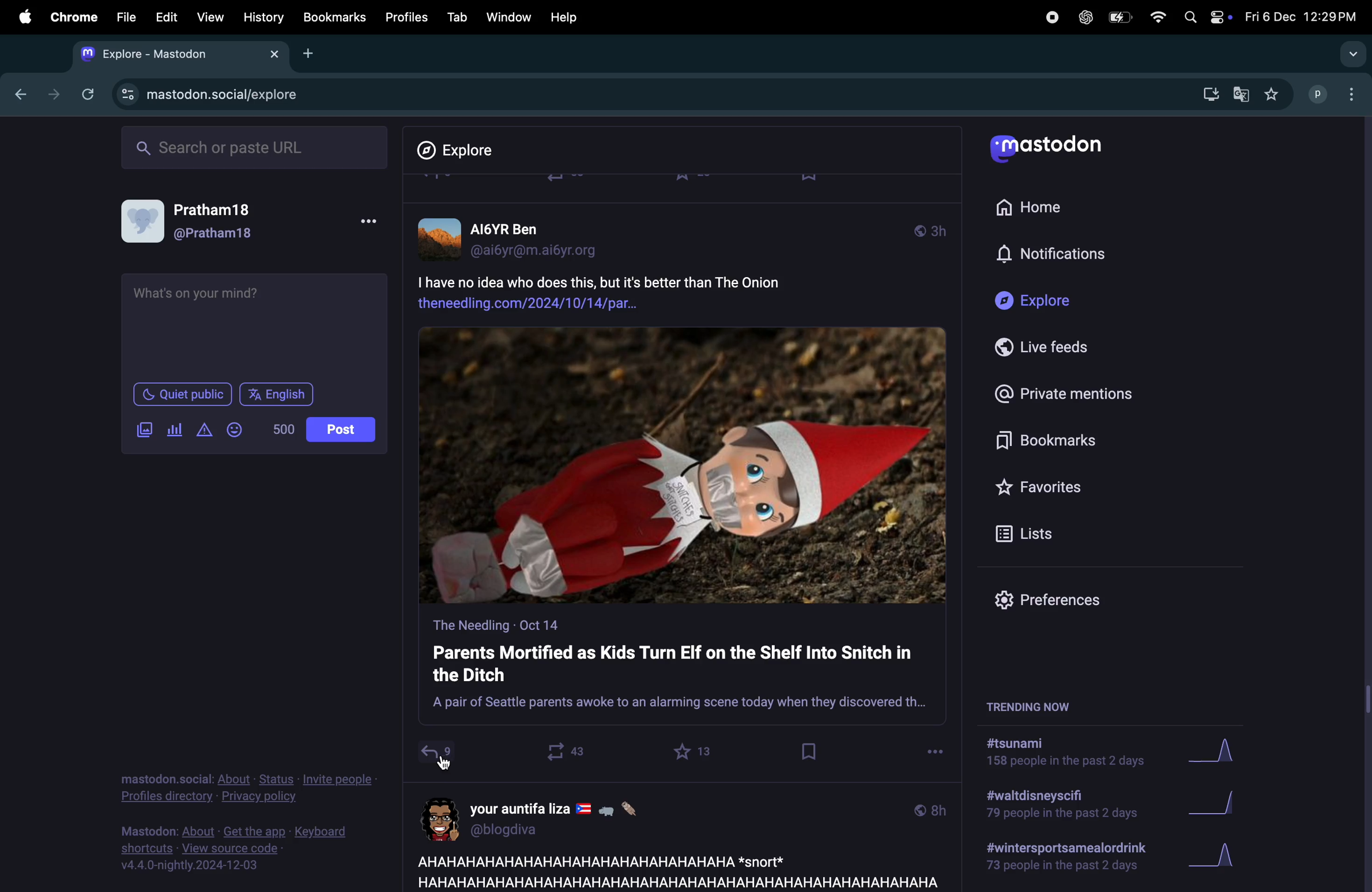 The image size is (1372, 892). Describe the element at coordinates (683, 466) in the screenshot. I see `image` at that location.